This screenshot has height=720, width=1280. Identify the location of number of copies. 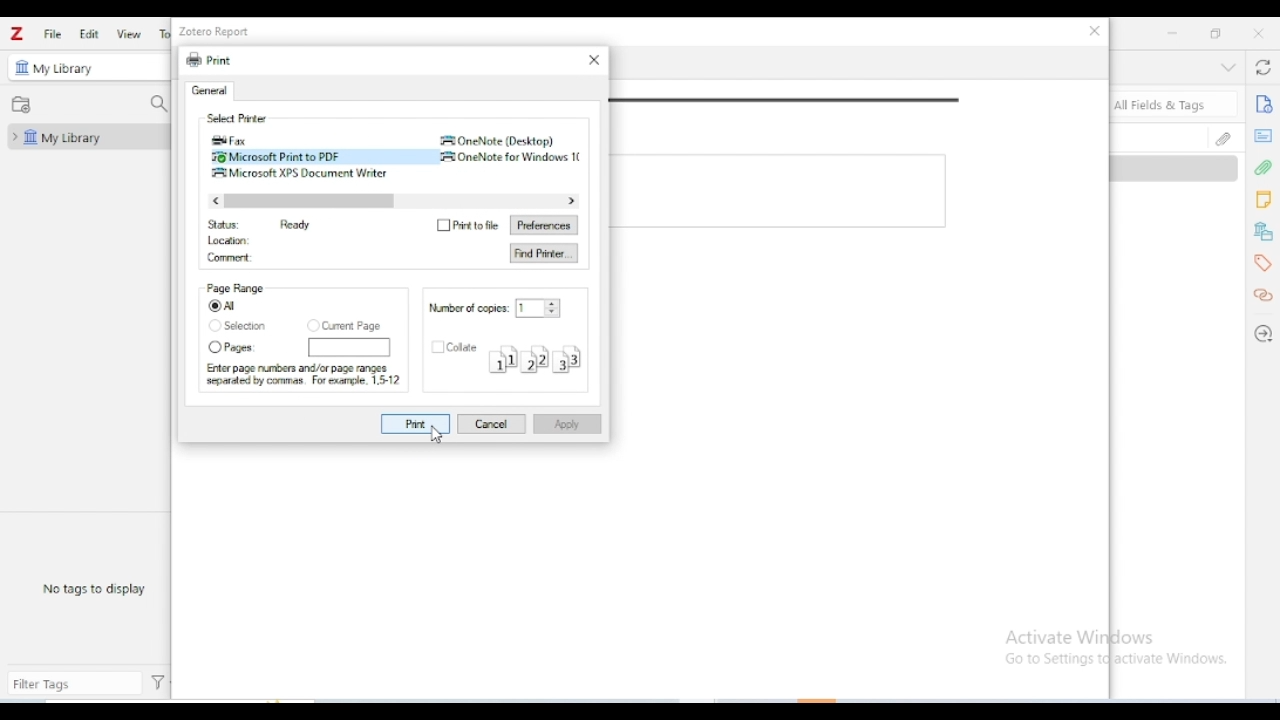
(470, 307).